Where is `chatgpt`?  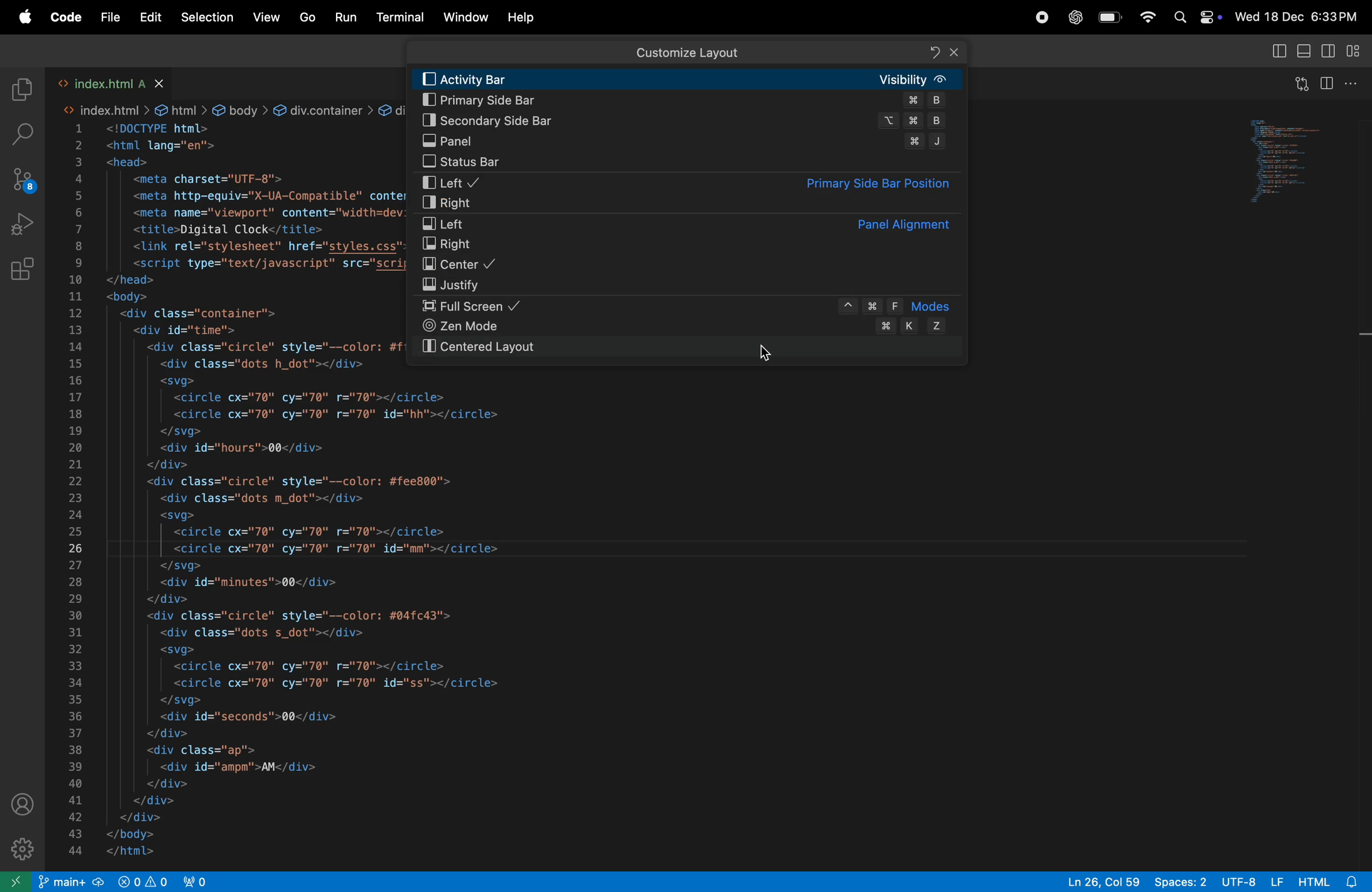
chatgpt is located at coordinates (1073, 18).